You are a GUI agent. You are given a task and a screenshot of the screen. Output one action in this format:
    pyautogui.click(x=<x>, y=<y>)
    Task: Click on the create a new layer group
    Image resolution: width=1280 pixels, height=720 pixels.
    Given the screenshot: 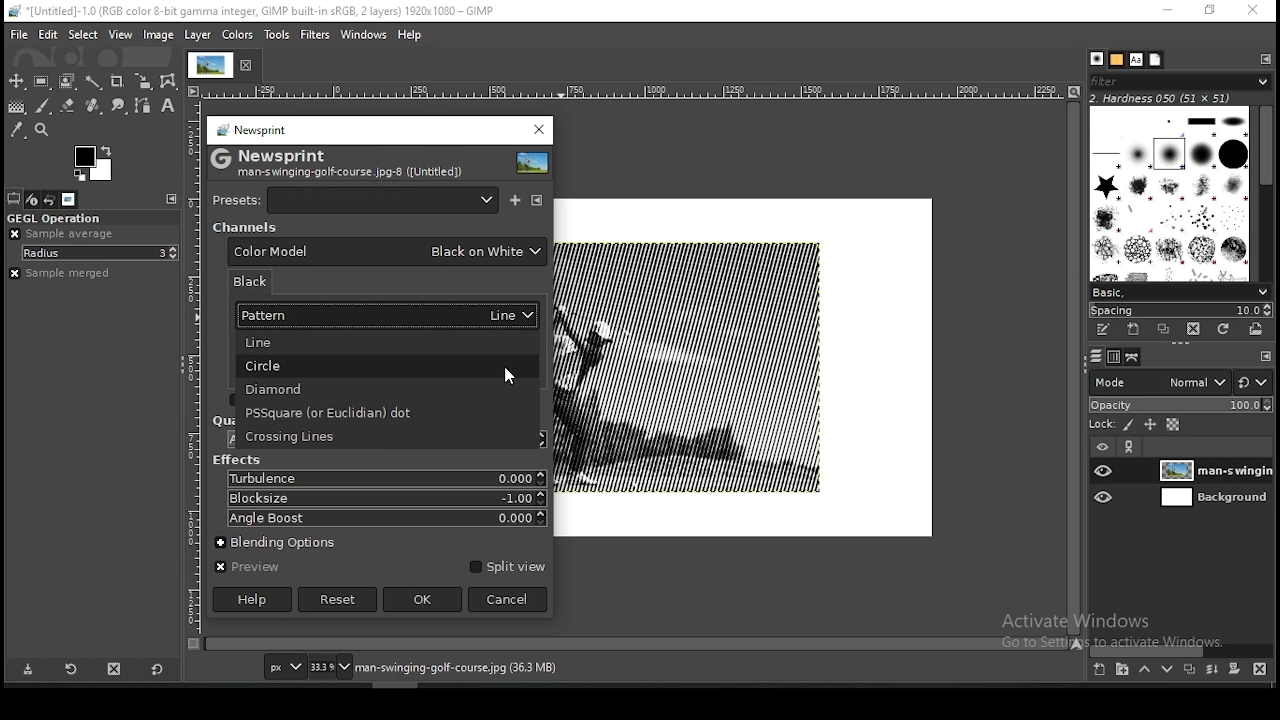 What is the action you would take?
    pyautogui.click(x=1123, y=669)
    